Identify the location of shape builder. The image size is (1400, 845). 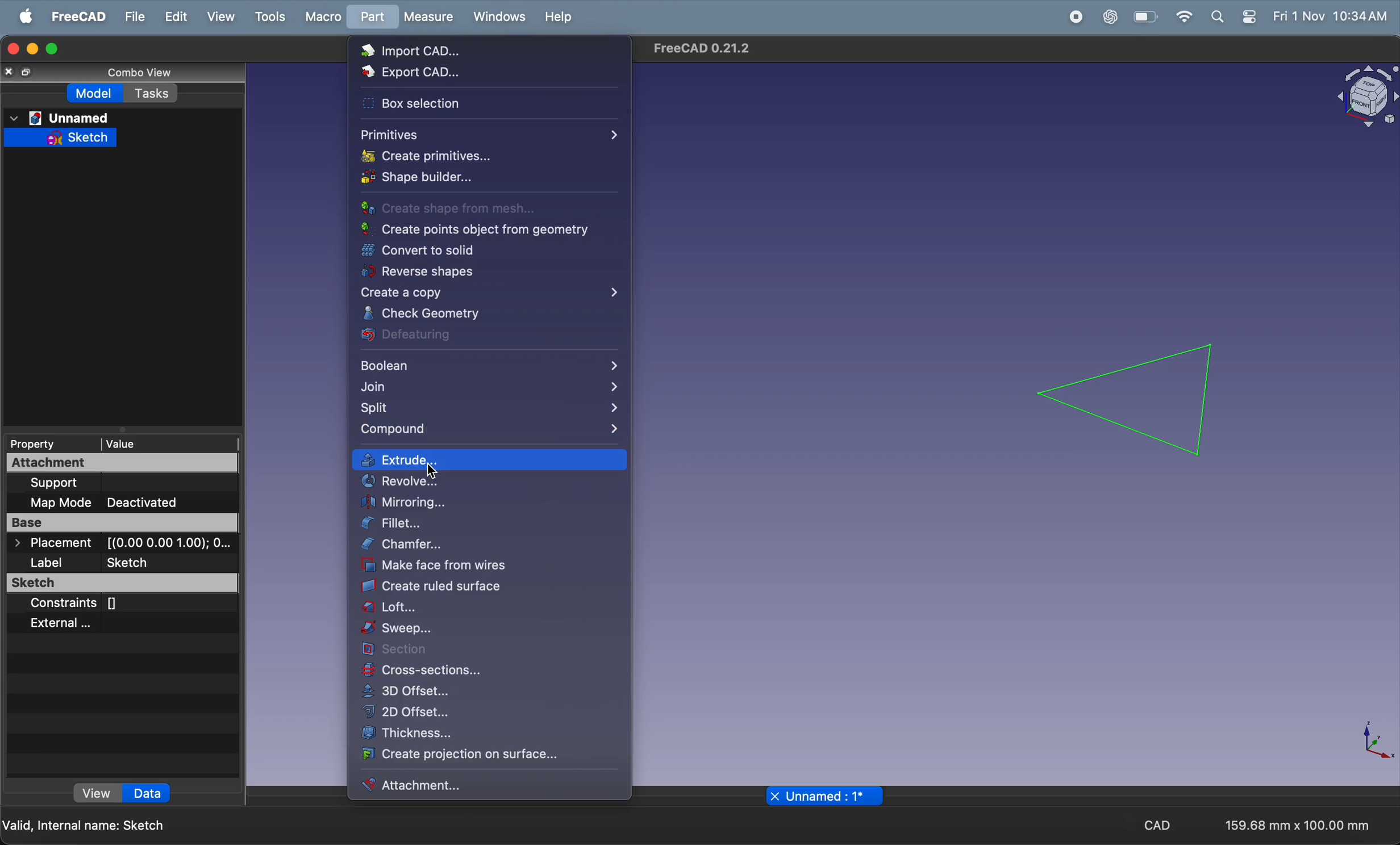
(468, 180).